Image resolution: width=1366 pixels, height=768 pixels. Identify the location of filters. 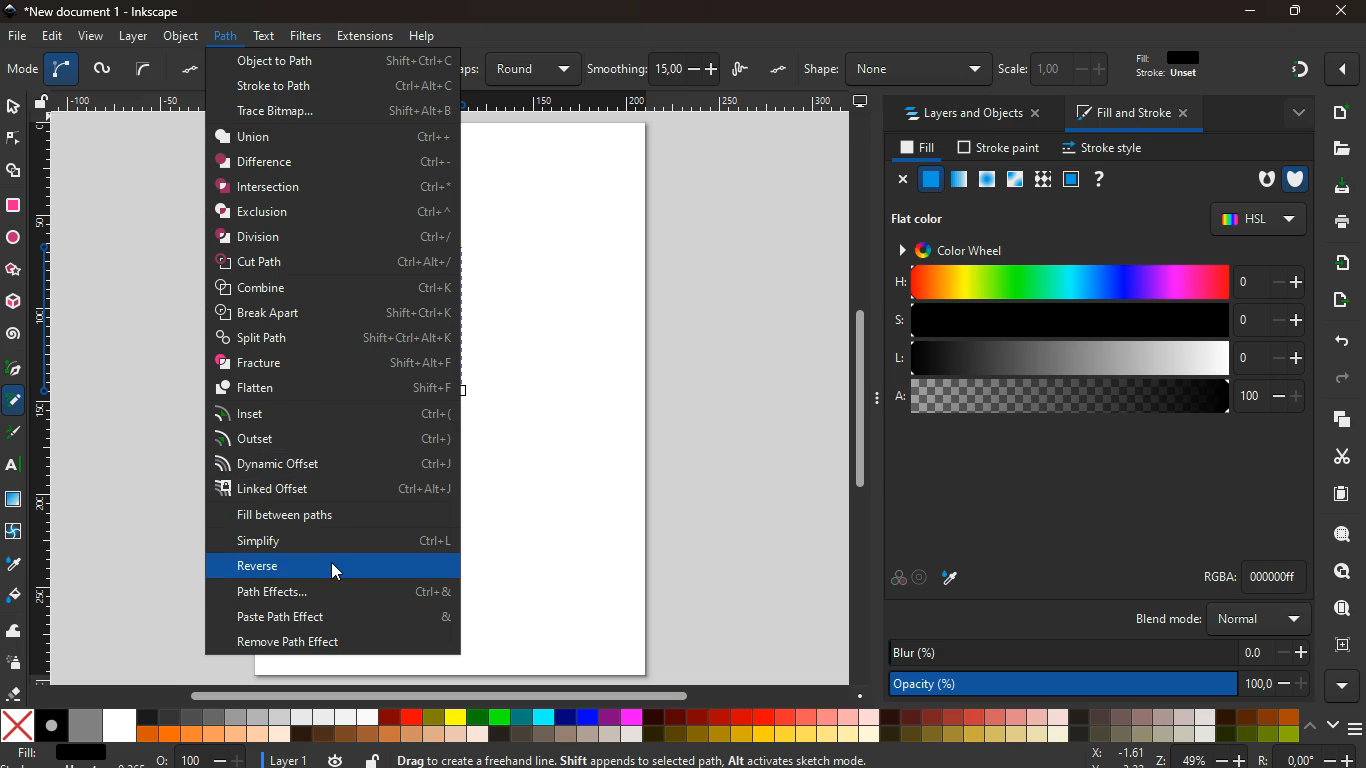
(306, 36).